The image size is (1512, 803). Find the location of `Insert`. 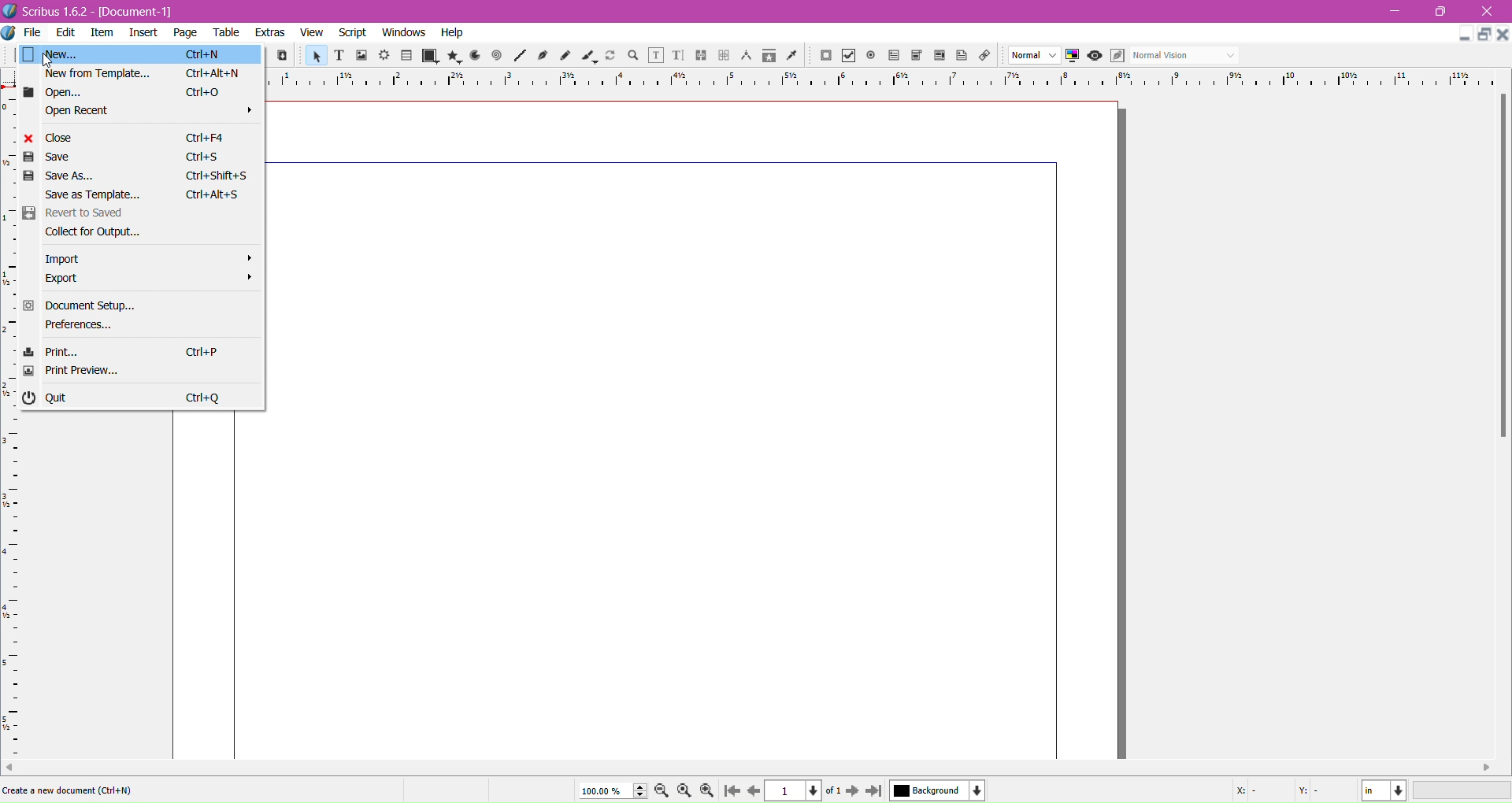

Insert is located at coordinates (143, 35).